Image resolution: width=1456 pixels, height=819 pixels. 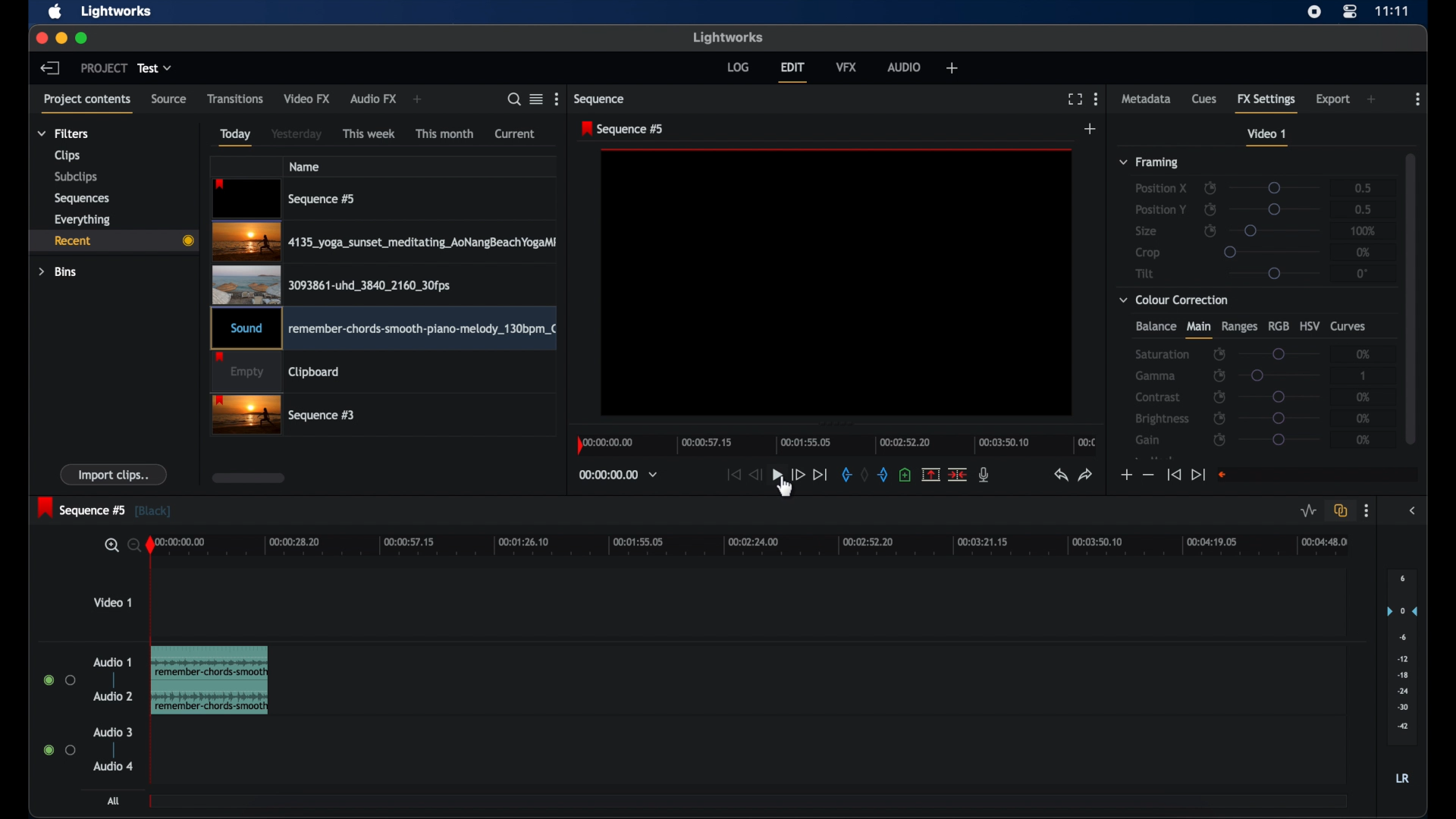 What do you see at coordinates (821, 475) in the screenshot?
I see `jump to end` at bounding box center [821, 475].